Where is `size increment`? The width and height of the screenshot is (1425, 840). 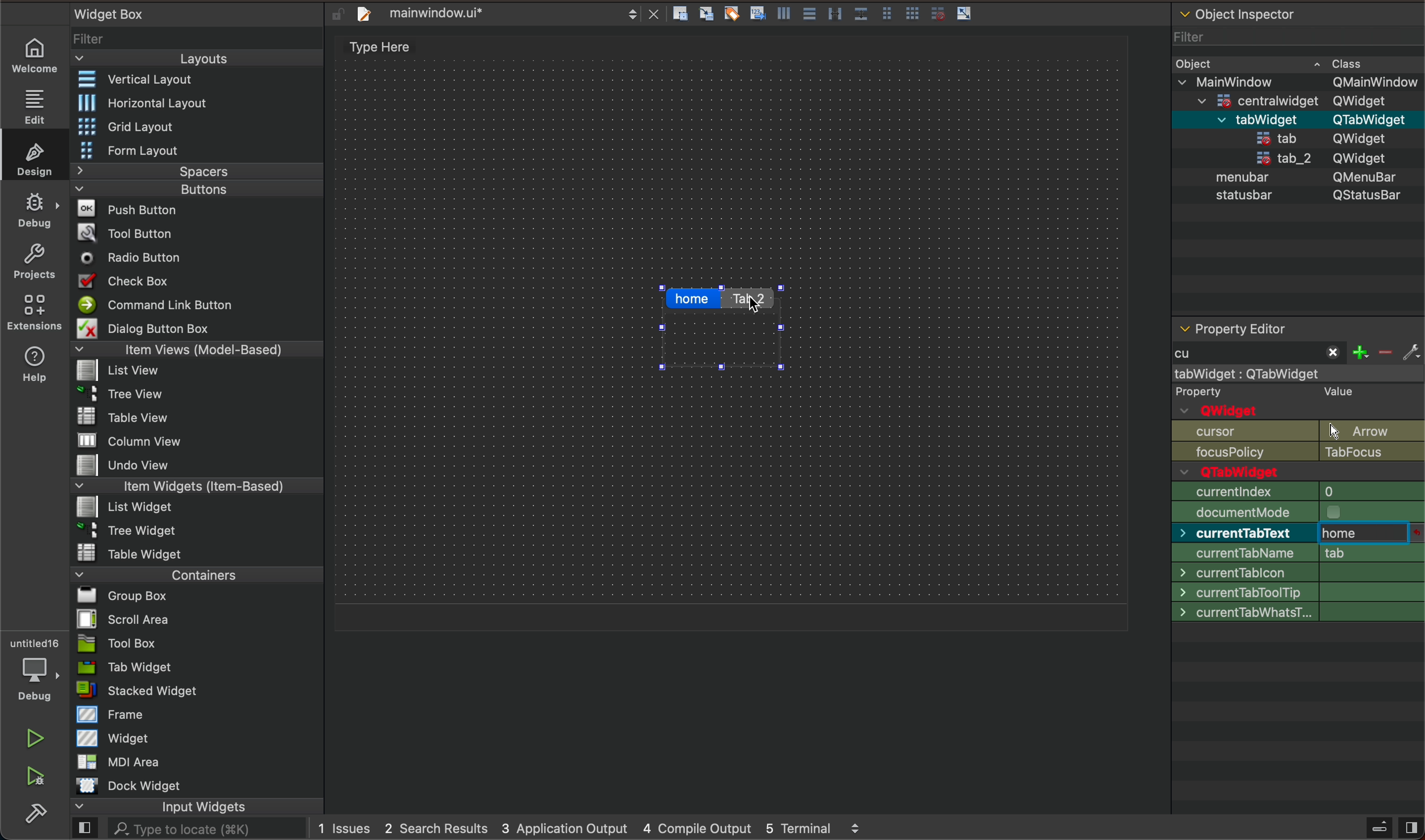
size increment is located at coordinates (1298, 571).